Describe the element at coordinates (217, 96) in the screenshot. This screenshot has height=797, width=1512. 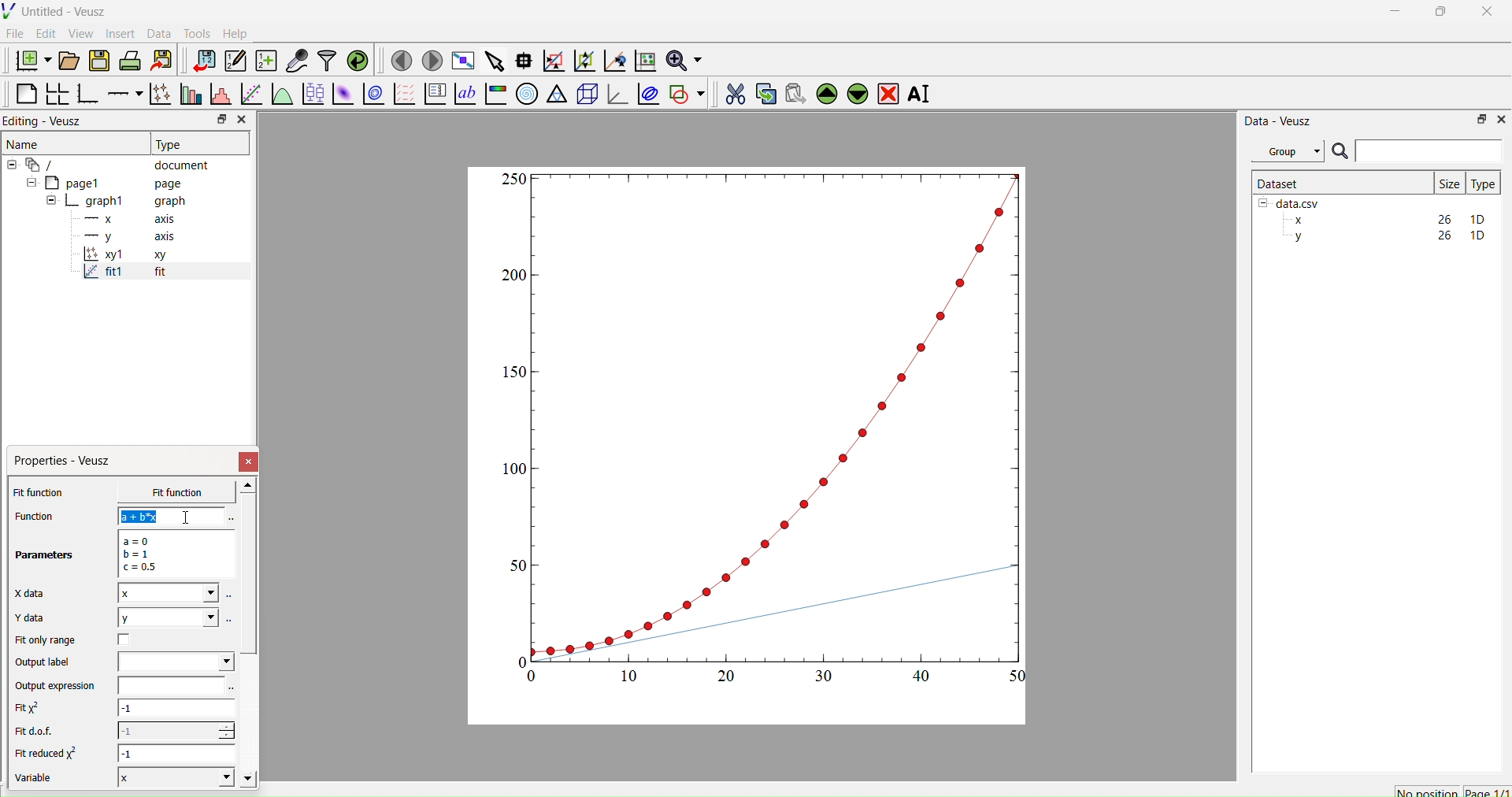
I see `Histogram of a dataset` at that location.